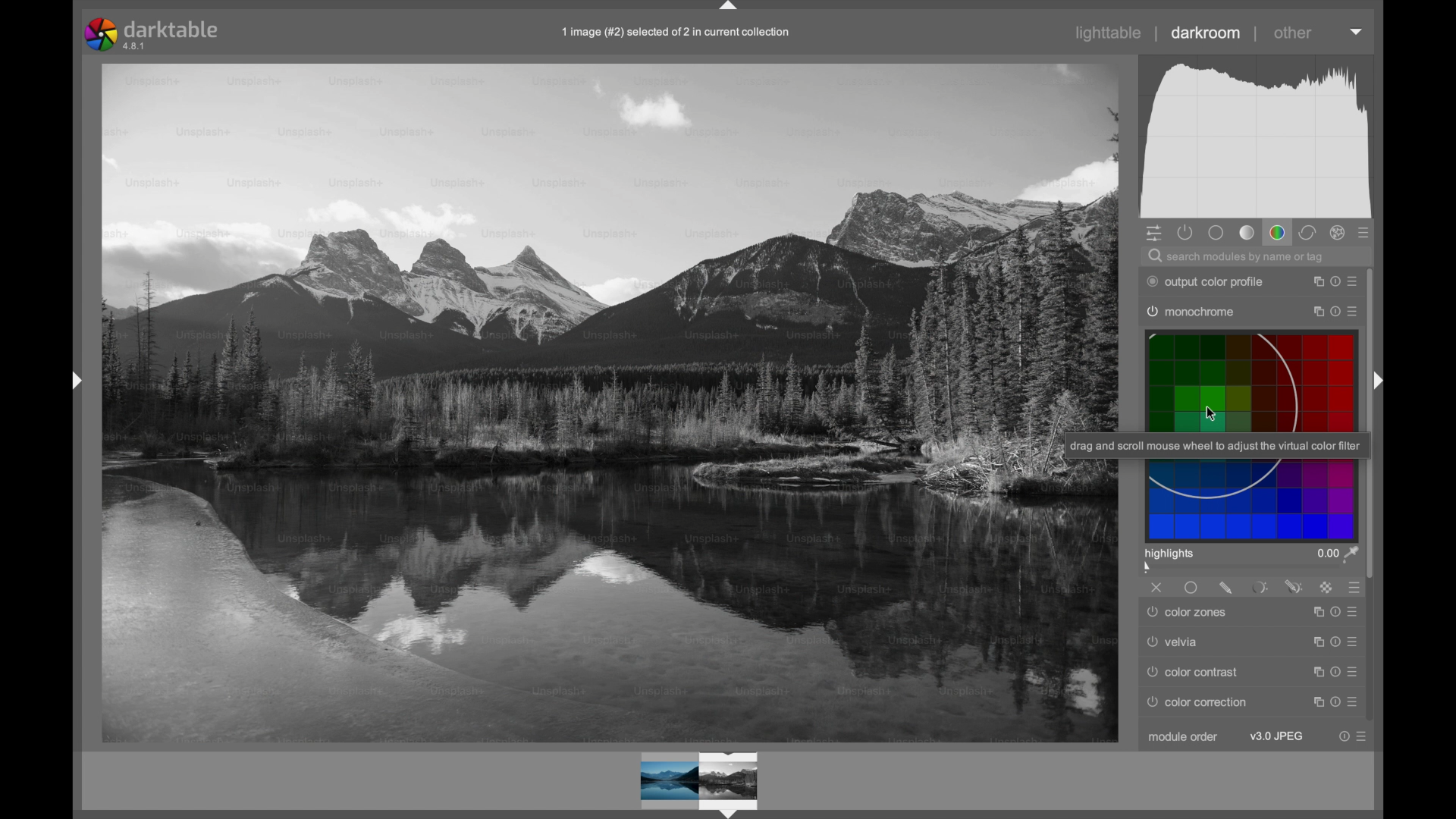 The height and width of the screenshot is (819, 1456). I want to click on base, so click(1216, 233).